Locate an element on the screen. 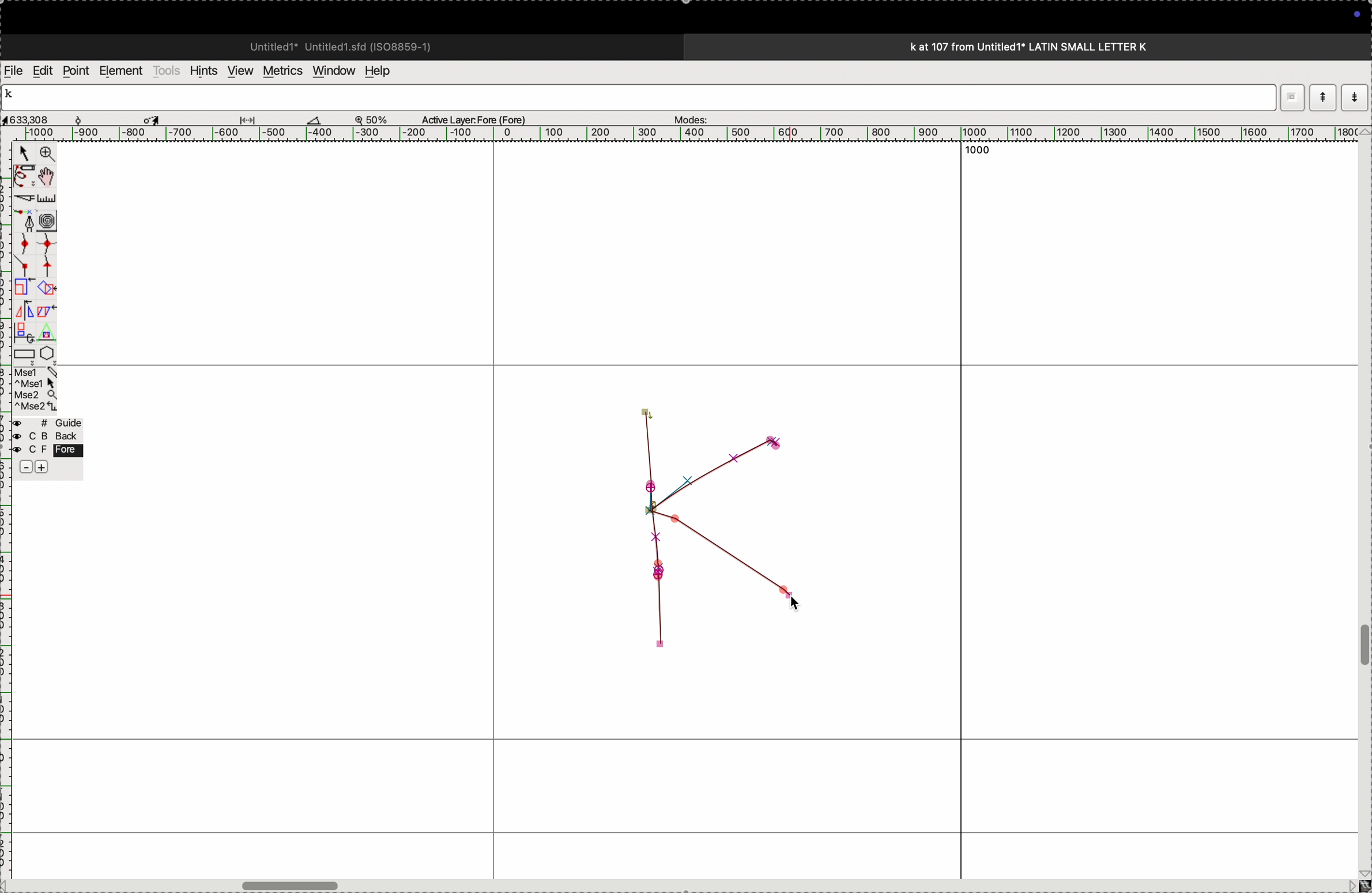 Image resolution: width=1372 pixels, height=893 pixels. zoom is located at coordinates (45, 155).